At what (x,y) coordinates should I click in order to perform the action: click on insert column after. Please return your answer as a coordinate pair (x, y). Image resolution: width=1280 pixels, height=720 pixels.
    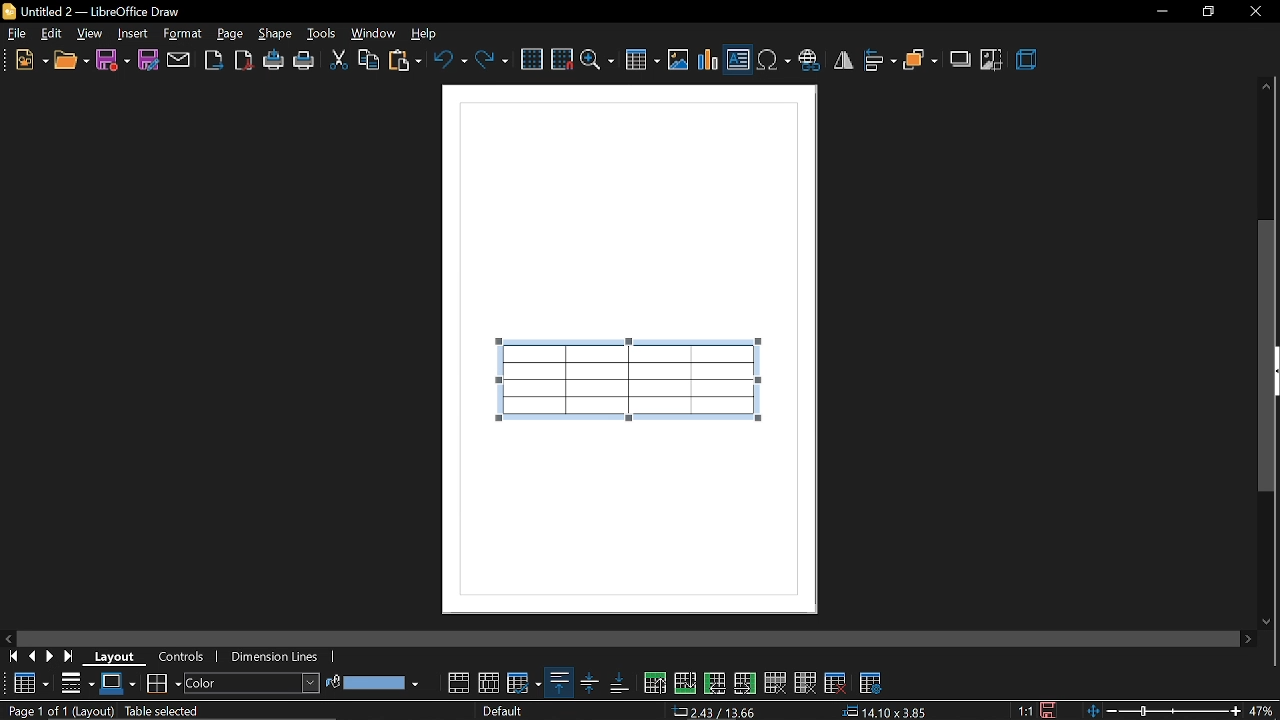
    Looking at the image, I should click on (747, 681).